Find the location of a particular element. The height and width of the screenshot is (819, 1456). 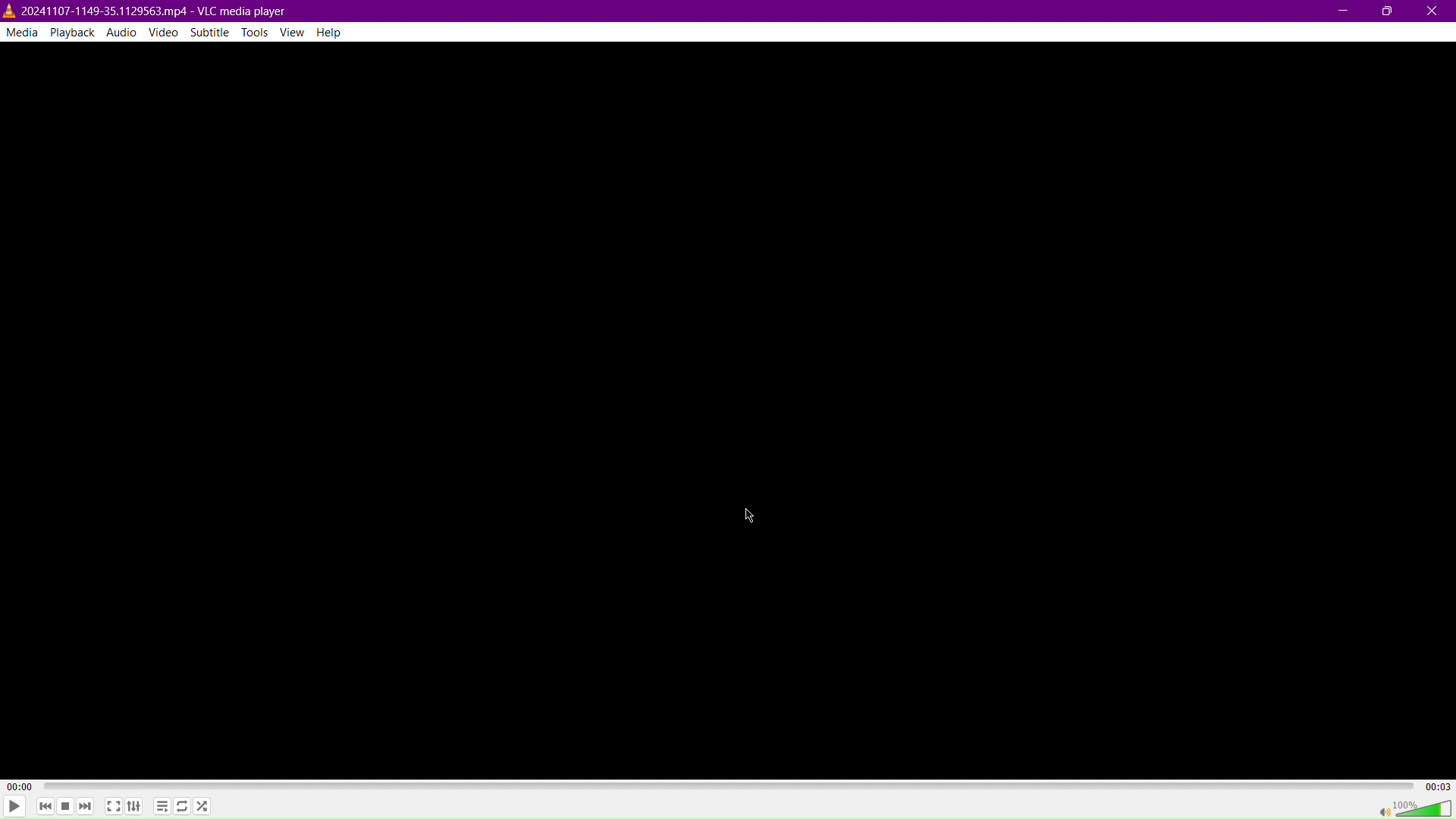

TImeline is located at coordinates (730, 784).